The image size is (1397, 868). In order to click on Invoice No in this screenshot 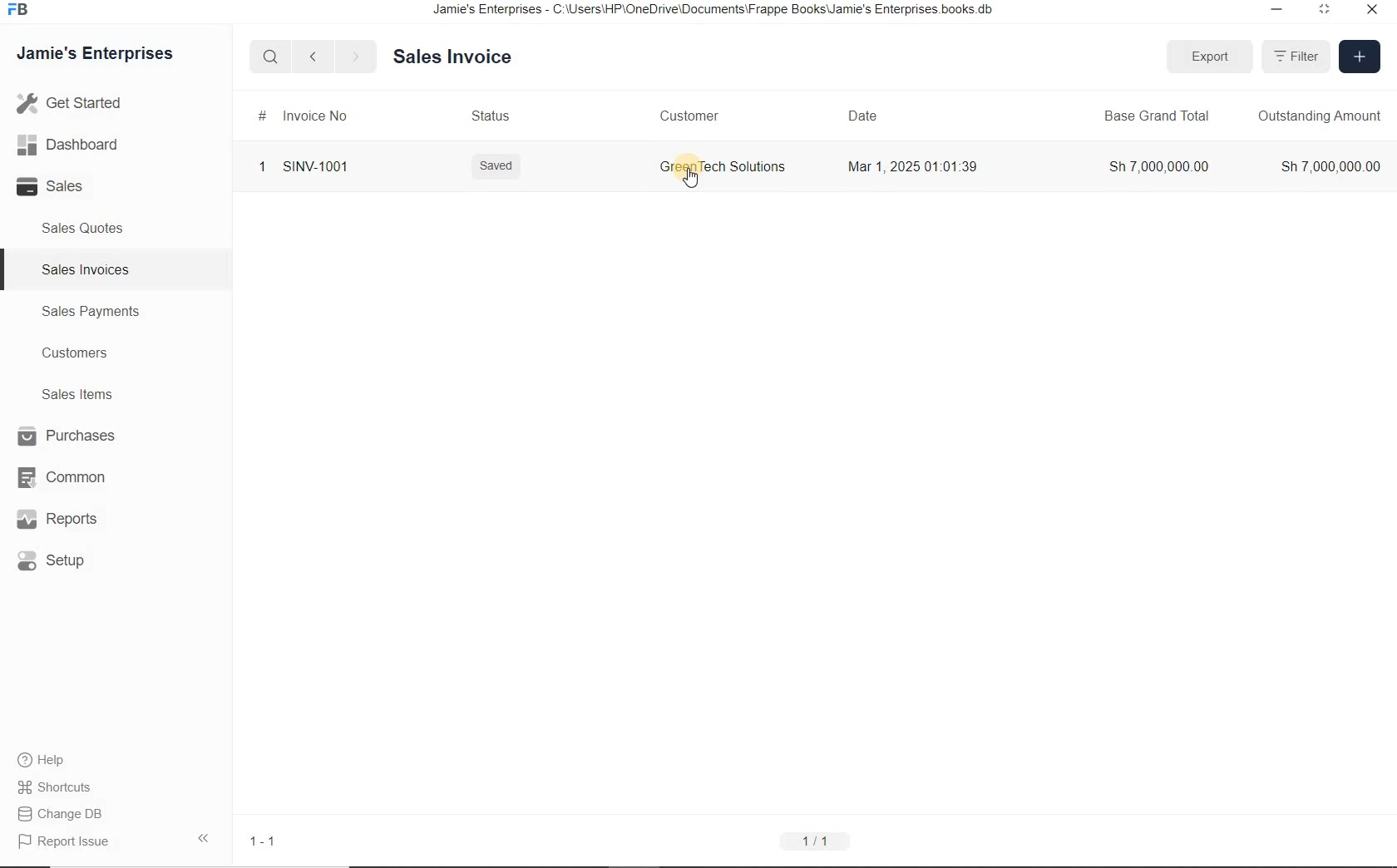, I will do `click(302, 116)`.